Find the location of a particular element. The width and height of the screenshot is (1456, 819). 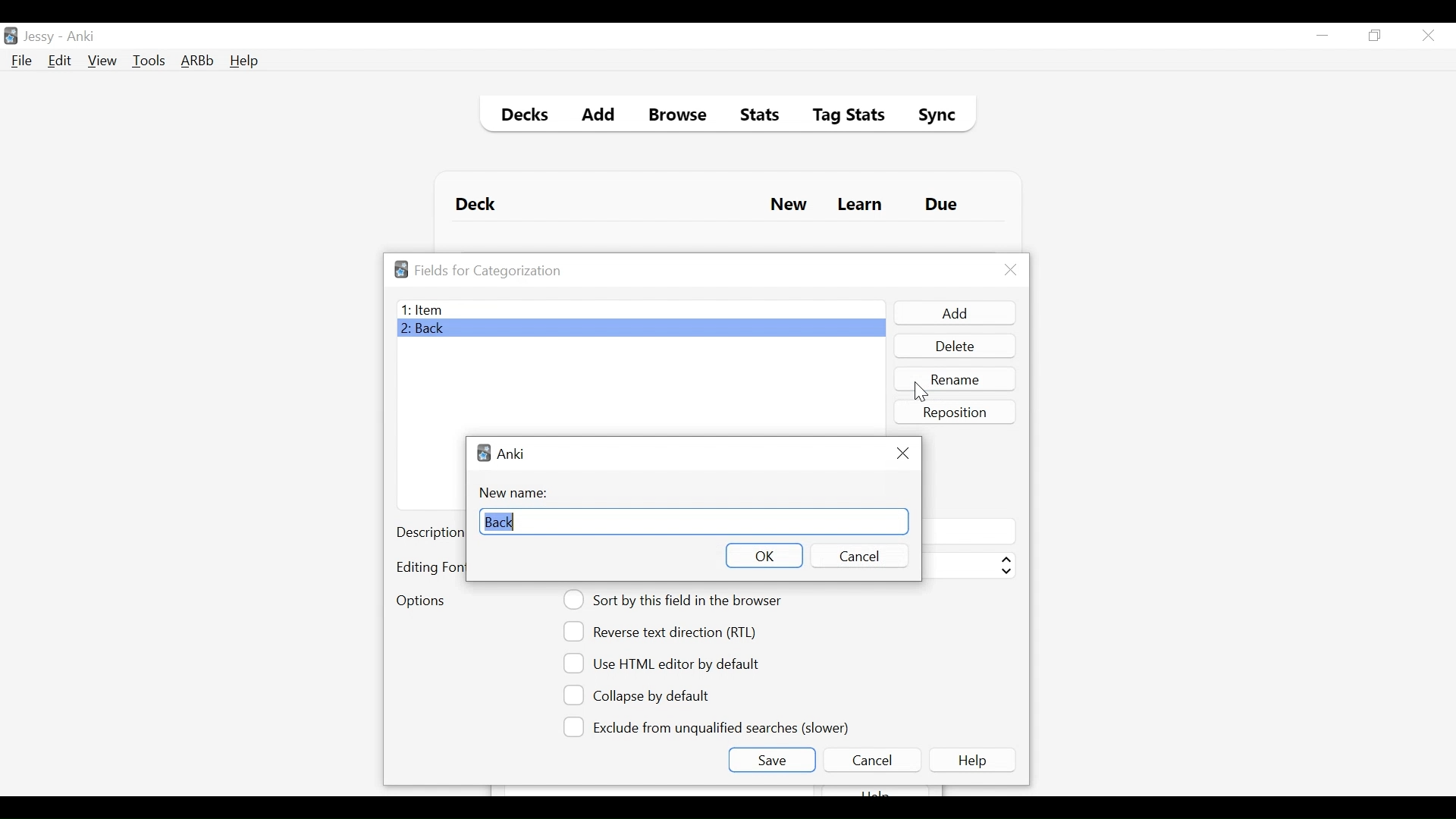

(un)select RTL is located at coordinates (667, 632).